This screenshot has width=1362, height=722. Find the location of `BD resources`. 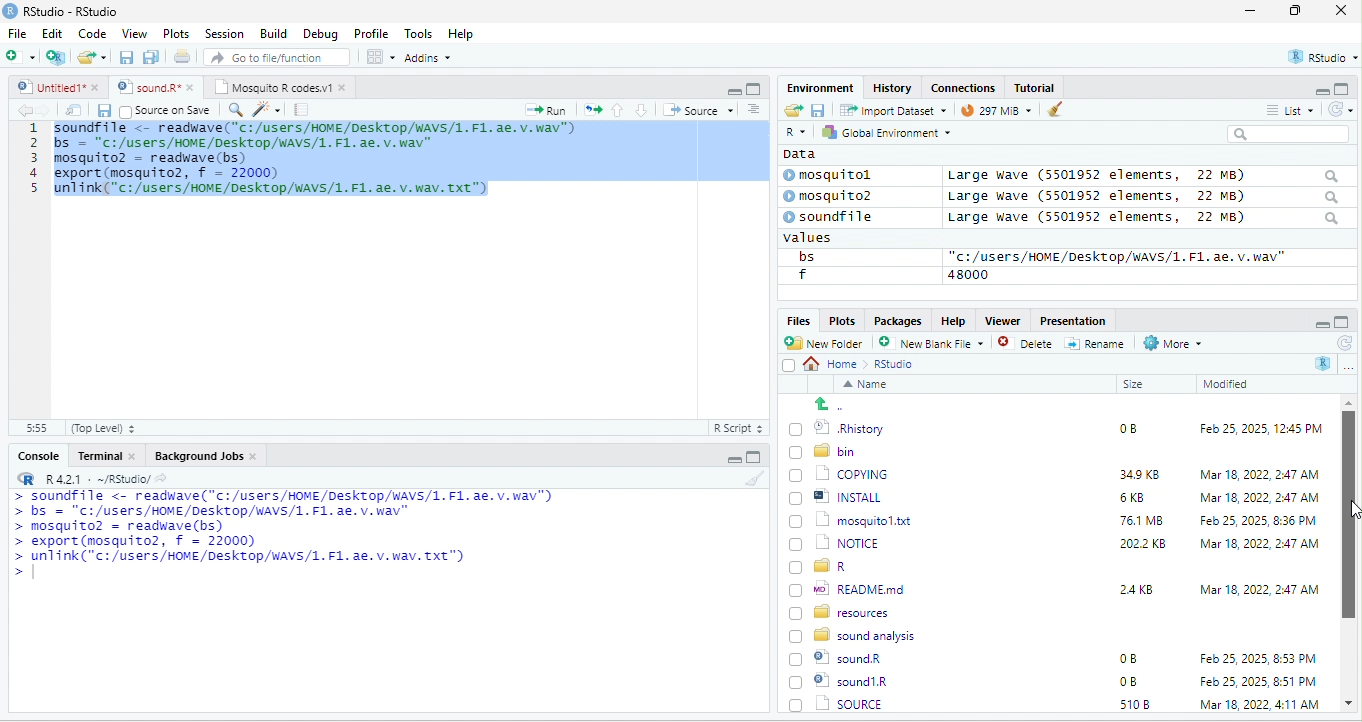

BD resources is located at coordinates (843, 610).